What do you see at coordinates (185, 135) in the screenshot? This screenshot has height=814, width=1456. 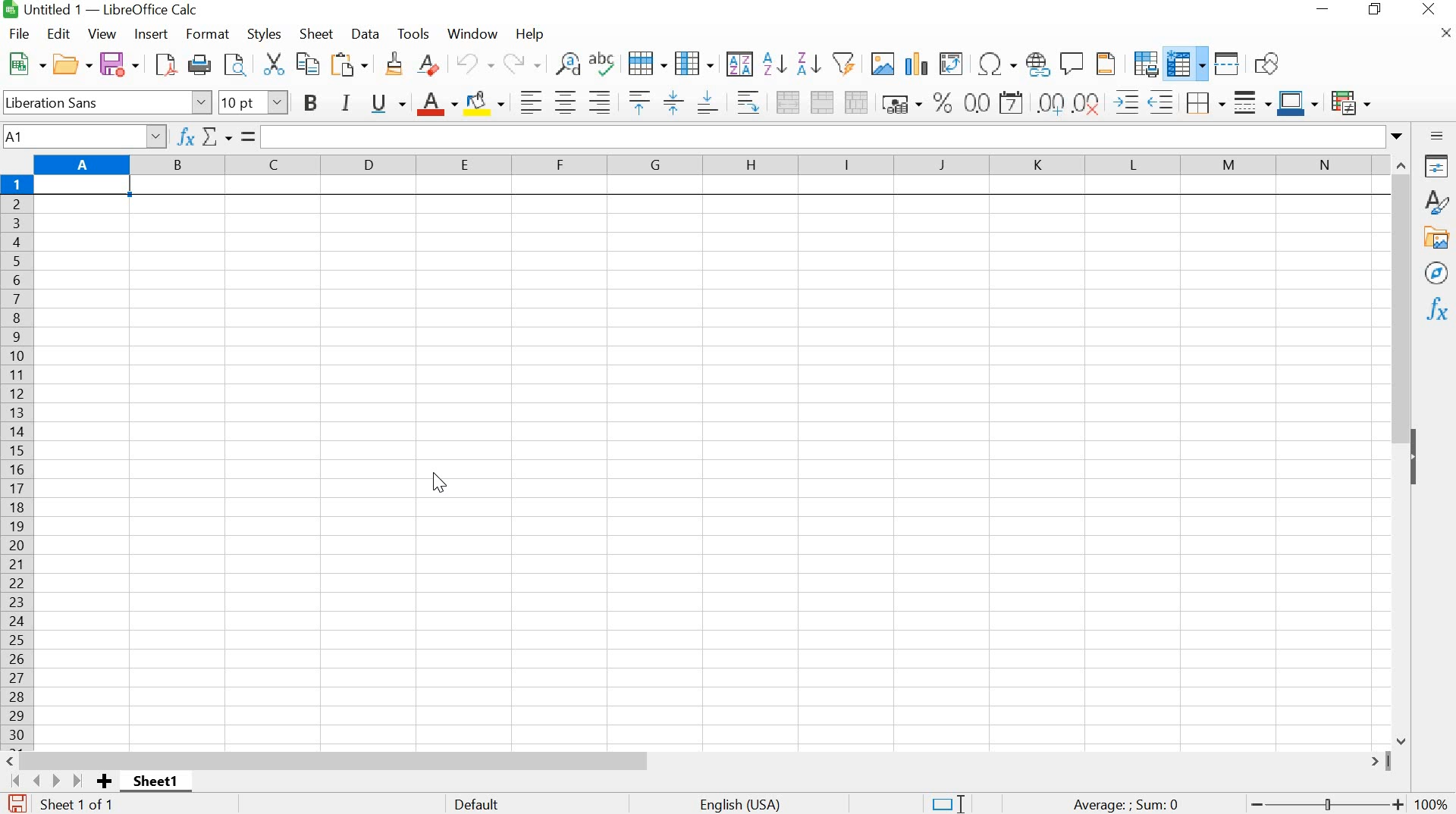 I see `FUNCTION WIZARD` at bounding box center [185, 135].